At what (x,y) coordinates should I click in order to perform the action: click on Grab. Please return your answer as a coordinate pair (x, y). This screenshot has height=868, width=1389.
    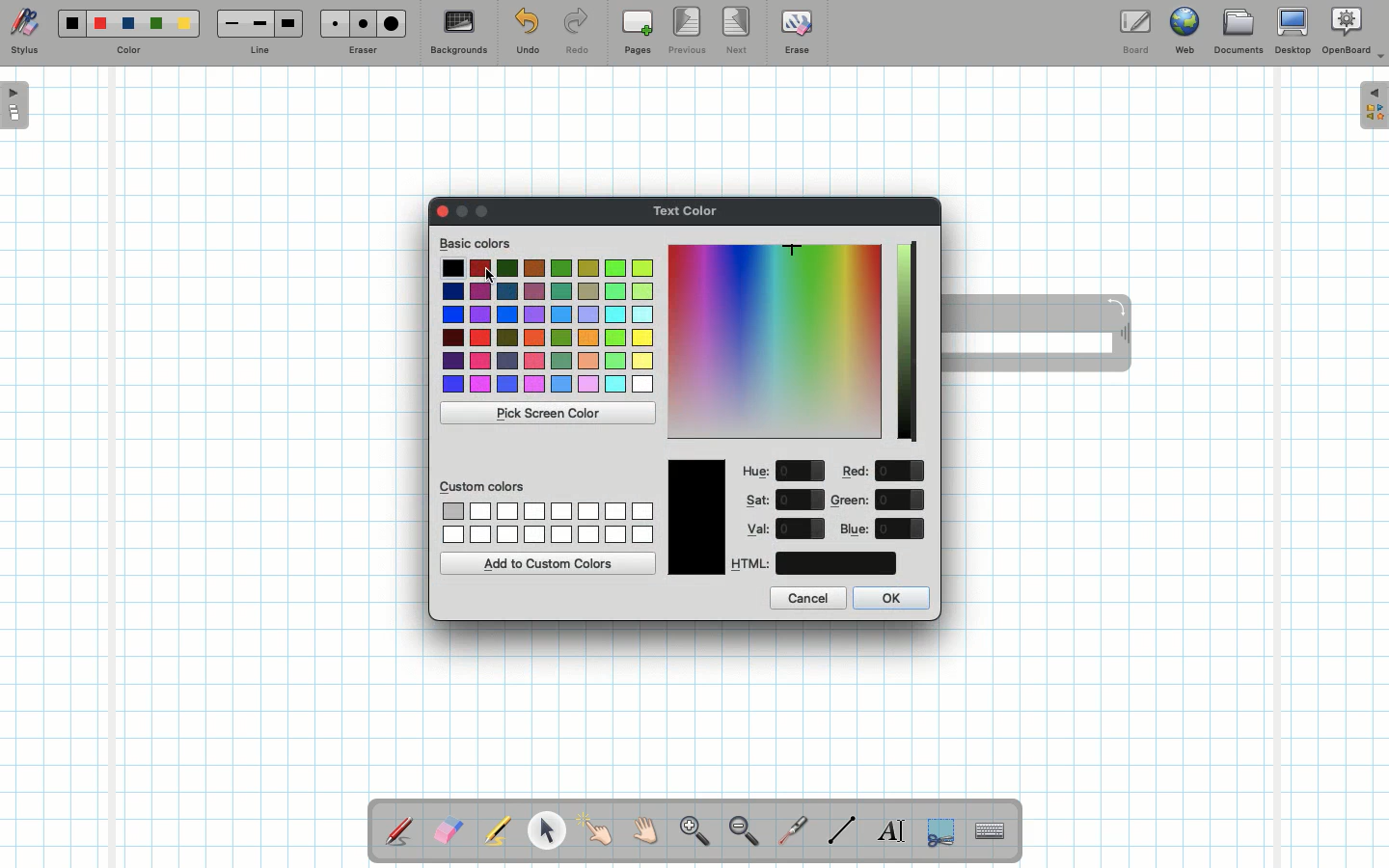
    Looking at the image, I should click on (646, 833).